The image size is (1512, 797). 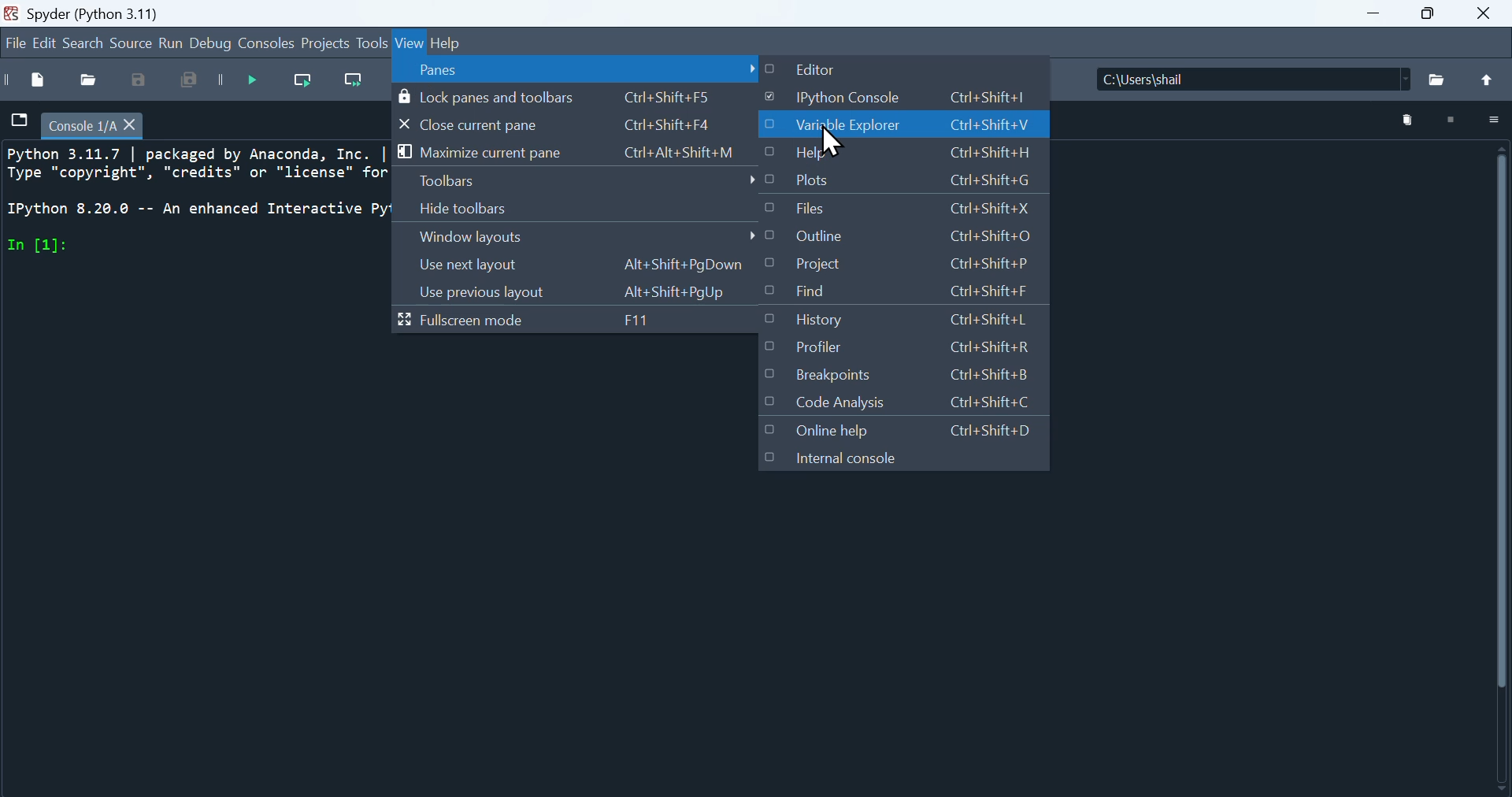 What do you see at coordinates (576, 268) in the screenshot?
I see `Use next layout` at bounding box center [576, 268].